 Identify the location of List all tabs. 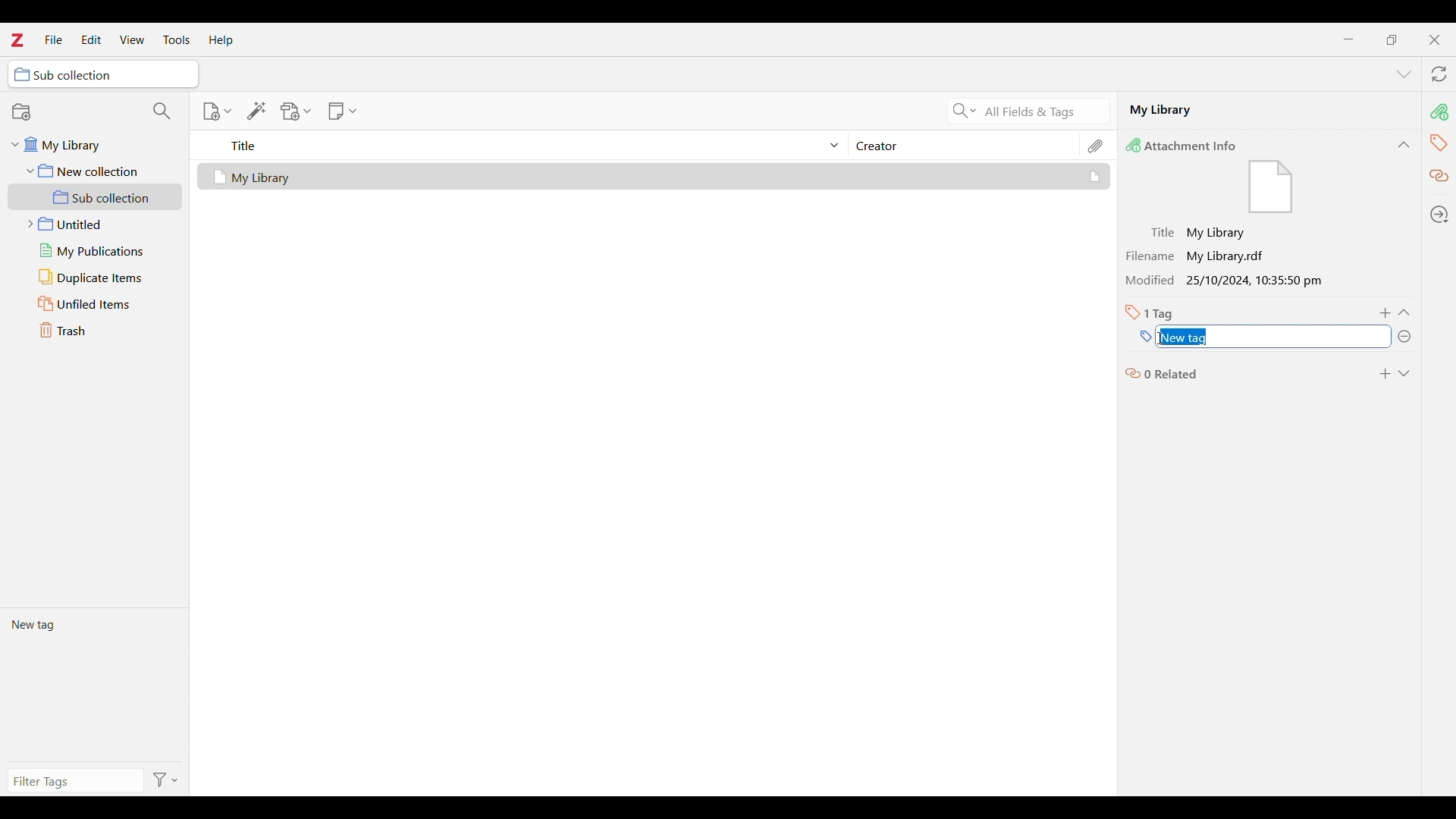
(1404, 75).